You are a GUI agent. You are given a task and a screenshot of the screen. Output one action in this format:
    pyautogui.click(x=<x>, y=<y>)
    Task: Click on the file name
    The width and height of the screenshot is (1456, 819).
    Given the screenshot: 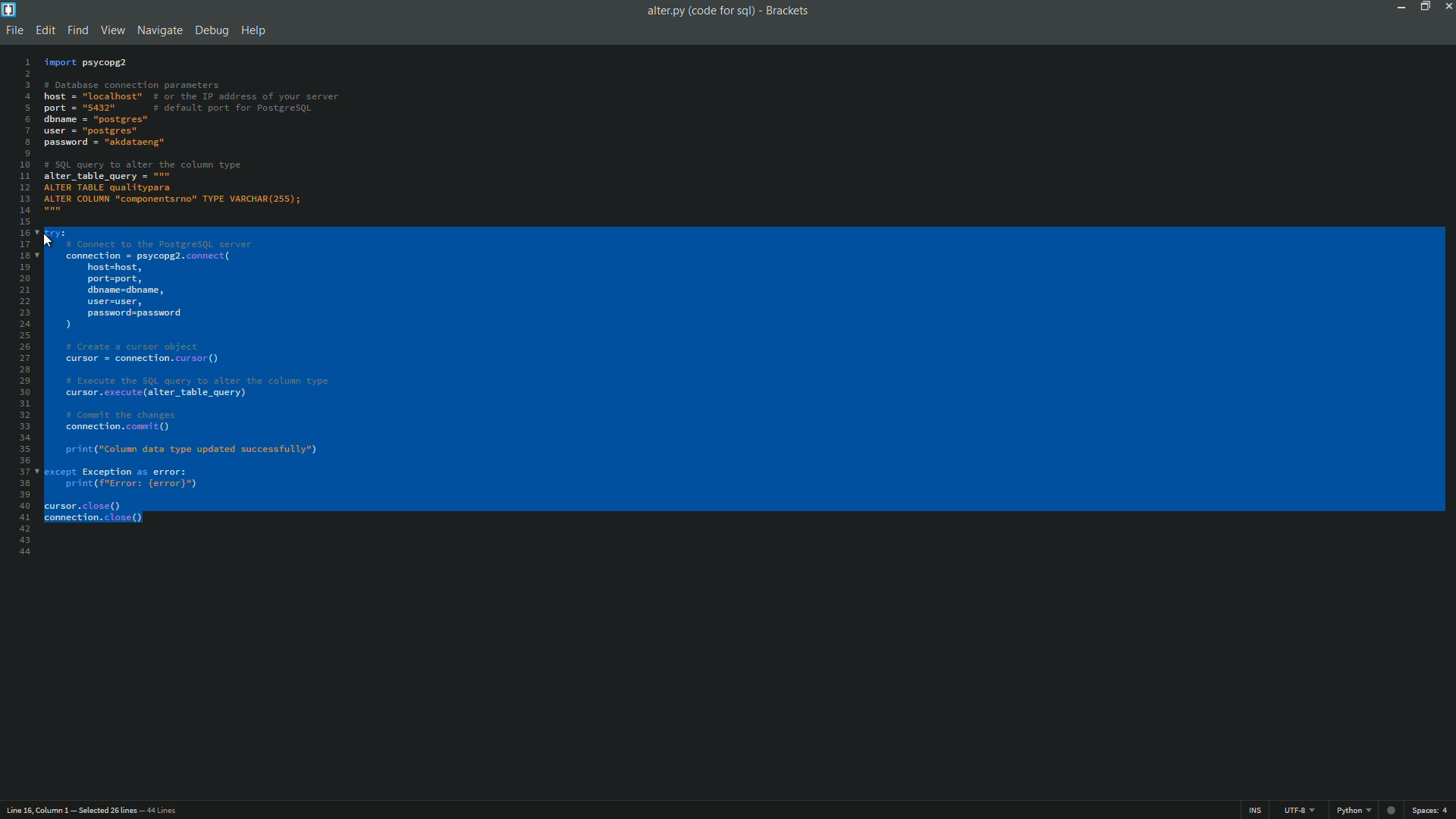 What is the action you would take?
    pyautogui.click(x=700, y=11)
    